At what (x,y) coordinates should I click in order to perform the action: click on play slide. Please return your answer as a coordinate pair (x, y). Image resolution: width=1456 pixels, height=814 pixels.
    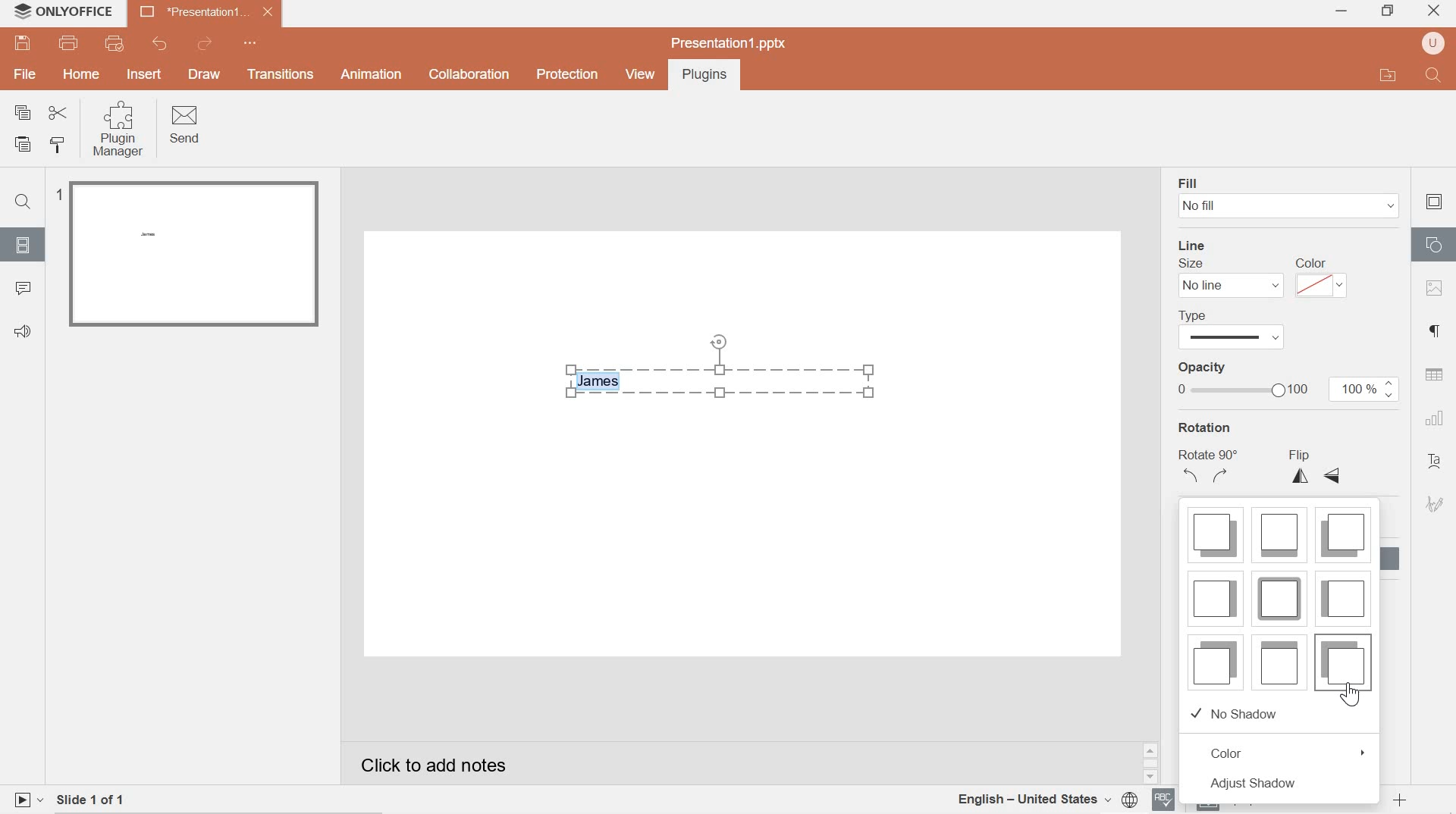
    Looking at the image, I should click on (27, 799).